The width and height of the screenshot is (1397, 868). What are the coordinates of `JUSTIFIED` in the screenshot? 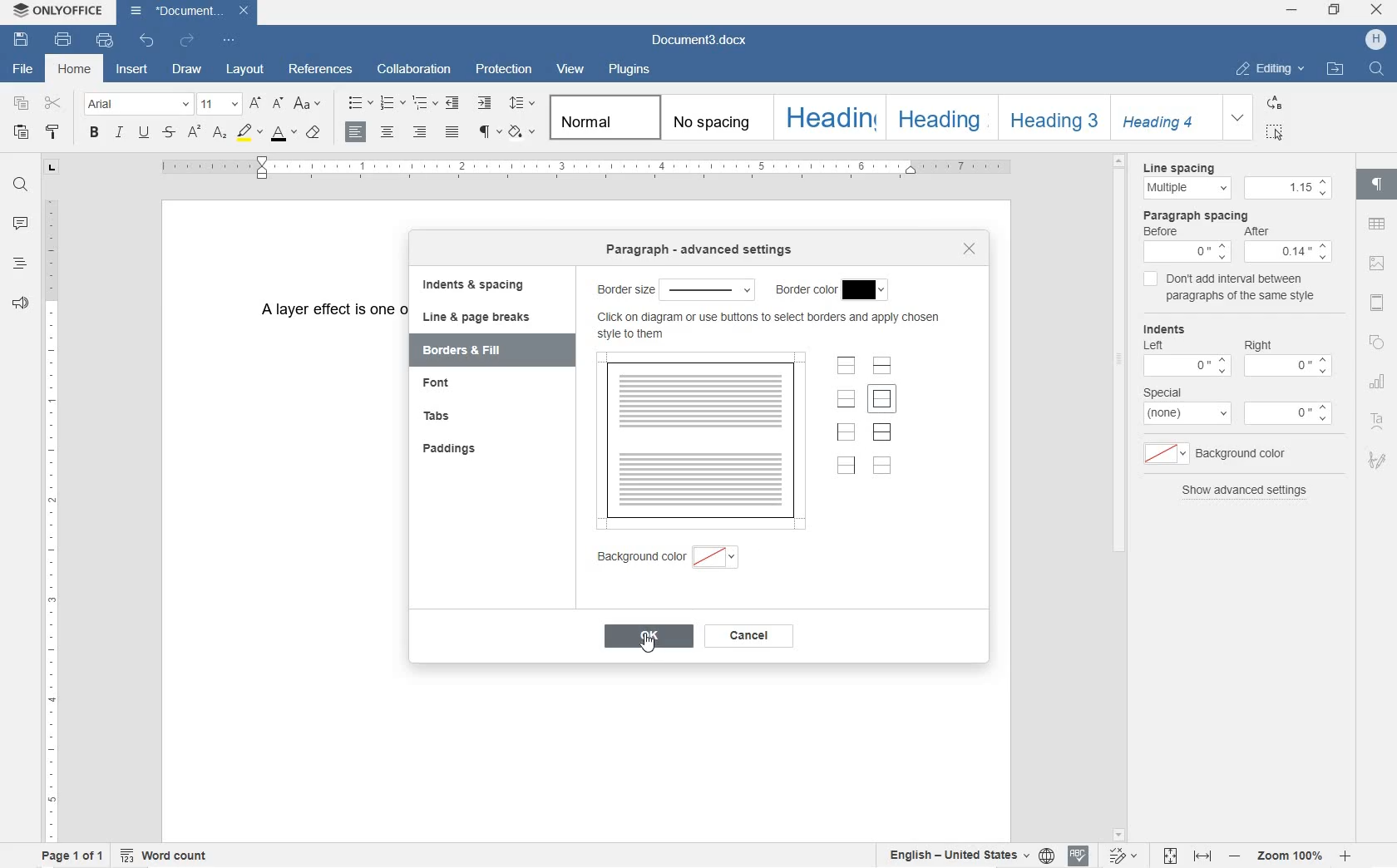 It's located at (452, 131).